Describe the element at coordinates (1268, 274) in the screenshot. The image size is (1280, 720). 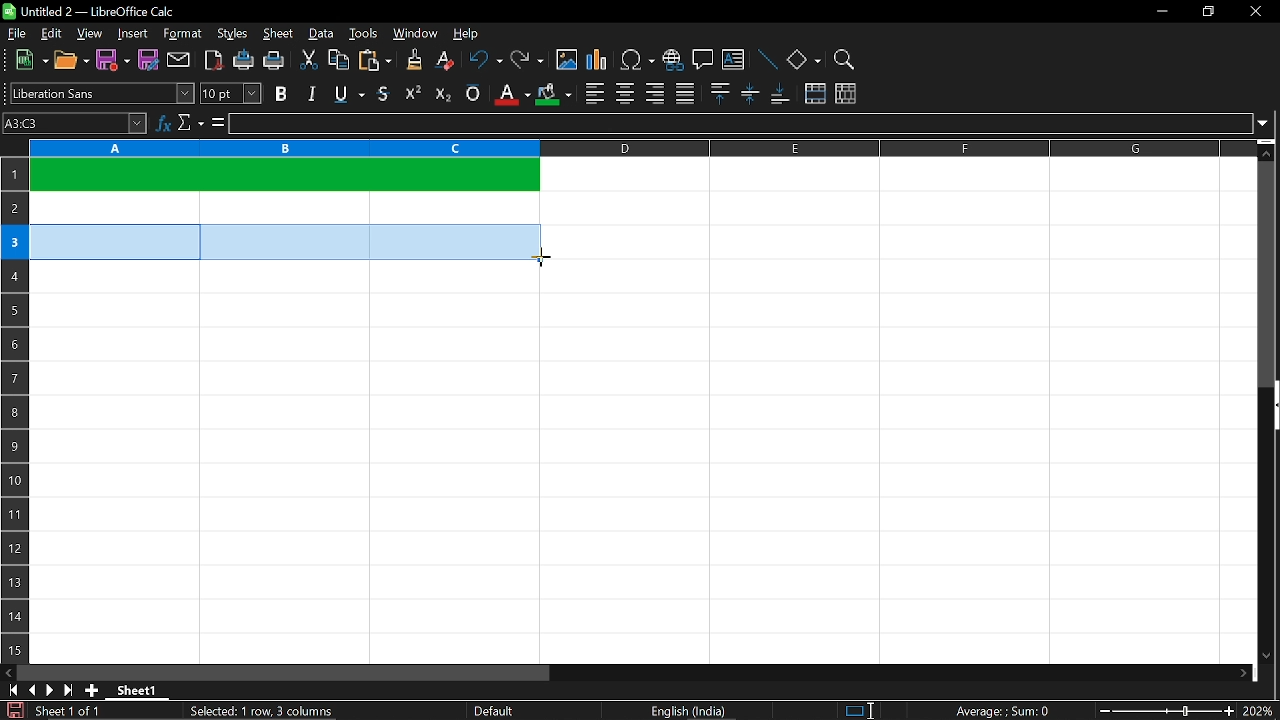
I see `vertical scrollbar` at that location.